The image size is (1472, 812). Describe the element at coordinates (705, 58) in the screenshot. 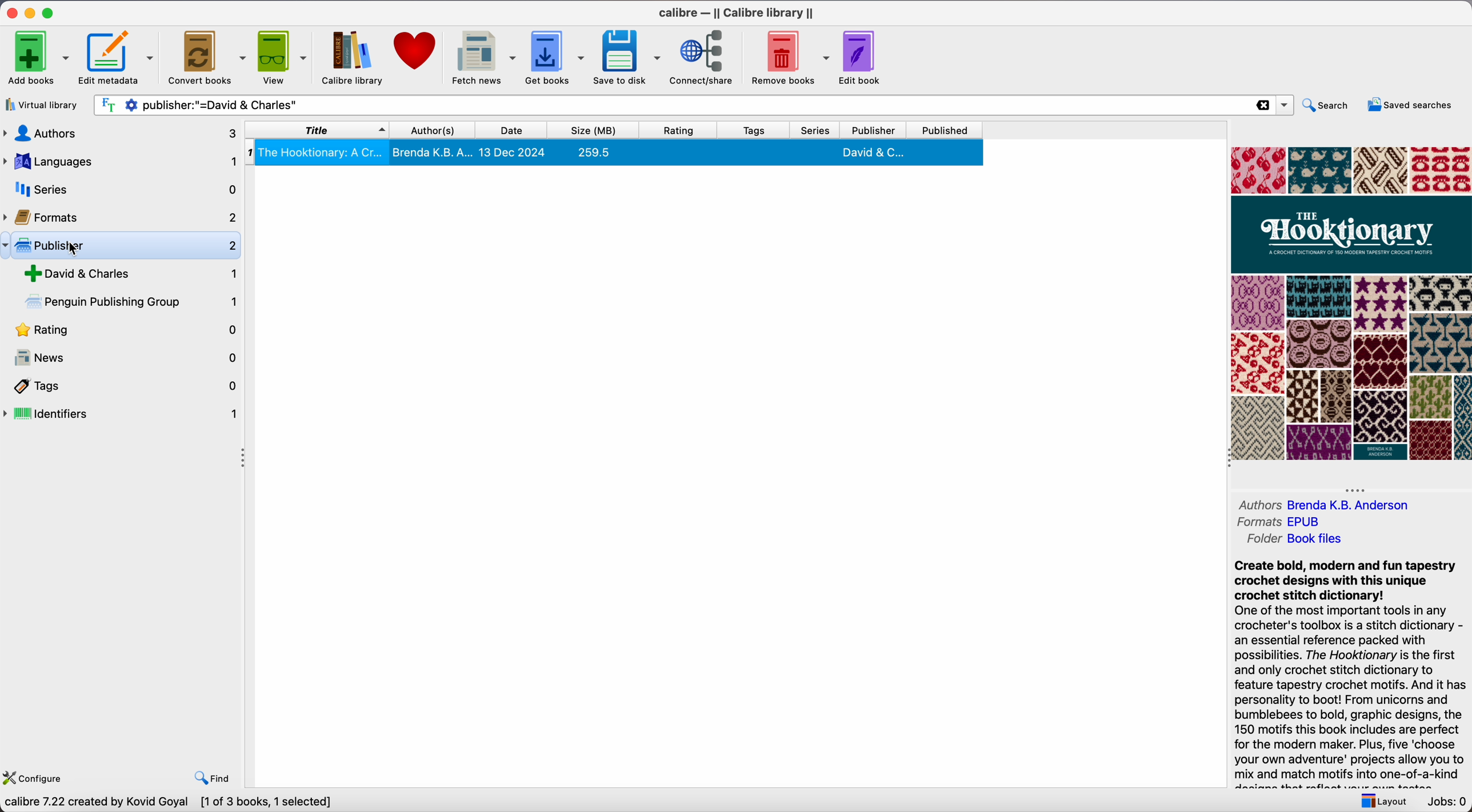

I see `connect/share` at that location.